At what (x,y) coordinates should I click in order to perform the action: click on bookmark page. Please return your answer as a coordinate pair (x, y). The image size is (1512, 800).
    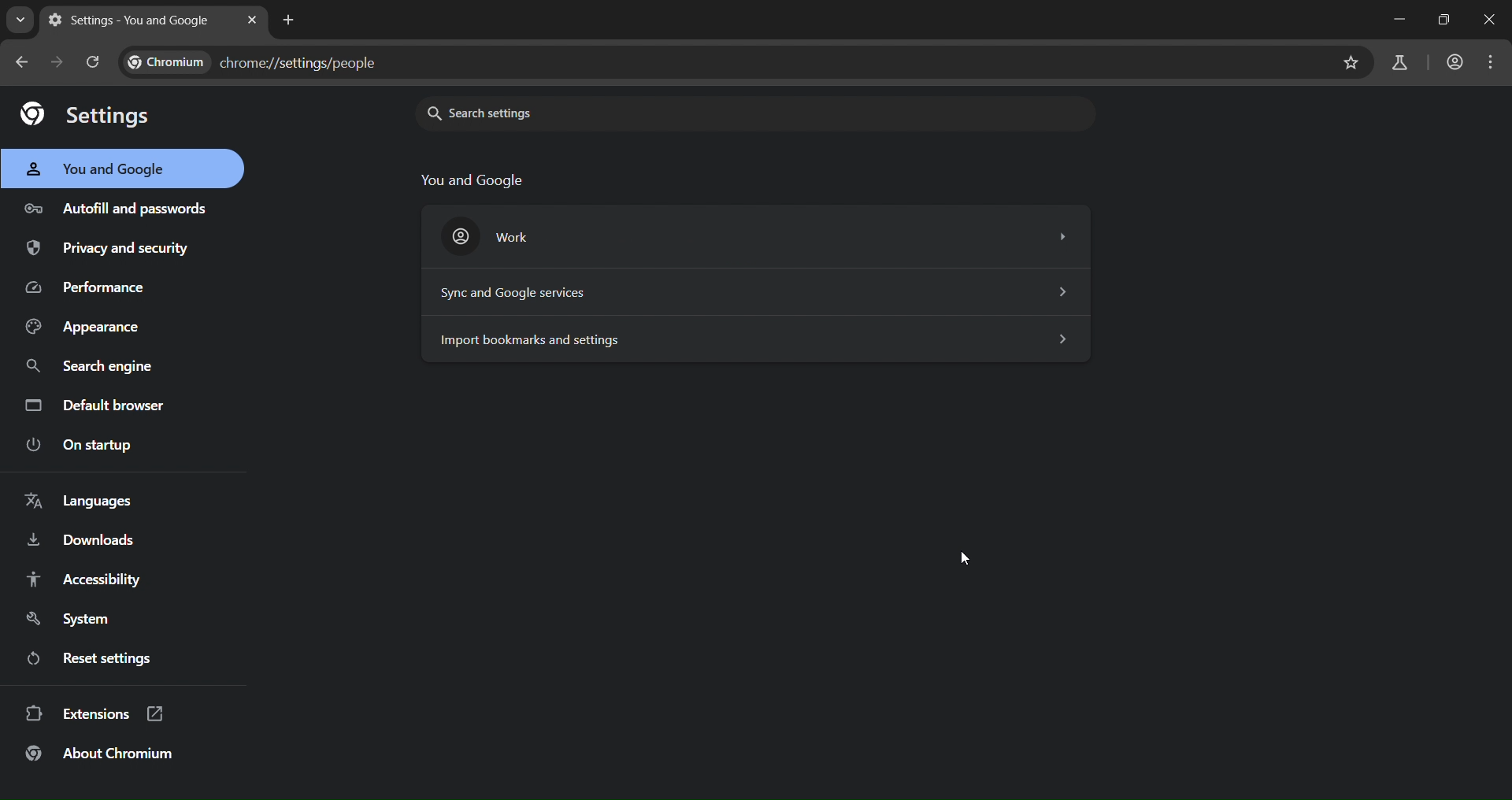
    Looking at the image, I should click on (1353, 61).